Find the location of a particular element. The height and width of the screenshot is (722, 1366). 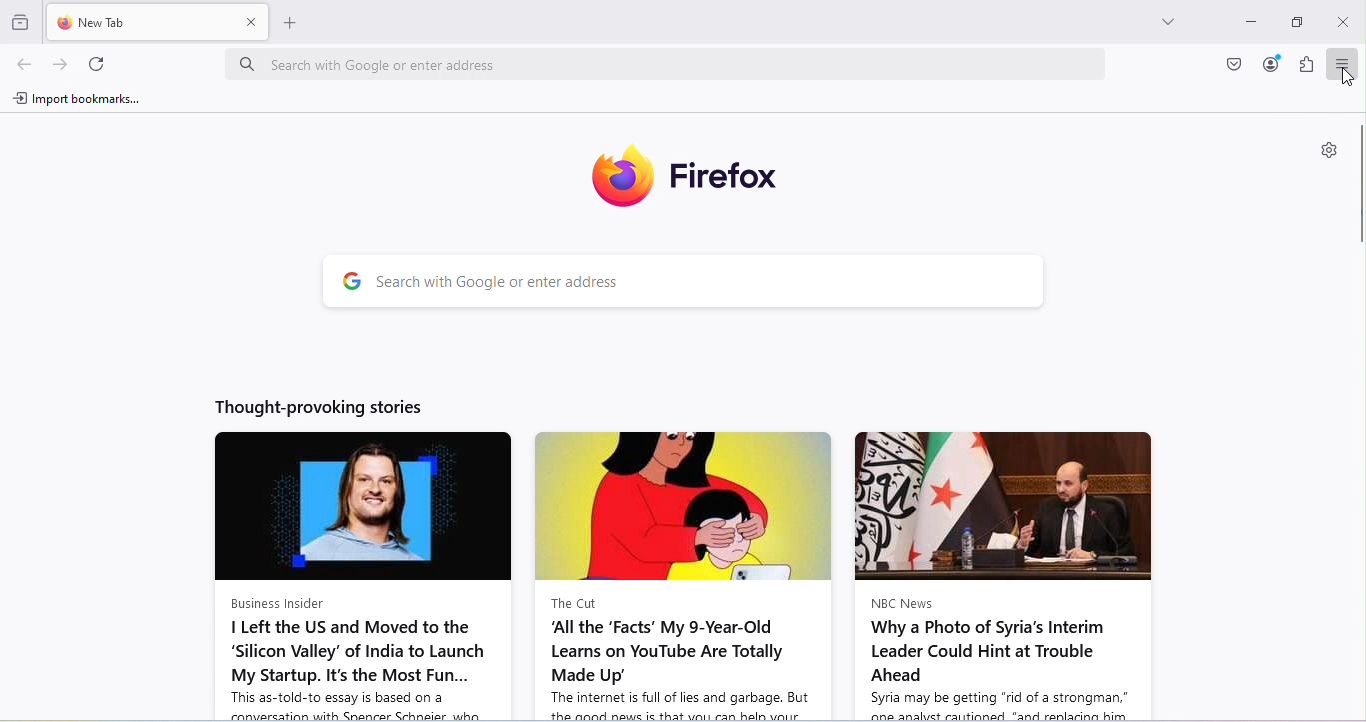

Go forward one page is located at coordinates (64, 67).